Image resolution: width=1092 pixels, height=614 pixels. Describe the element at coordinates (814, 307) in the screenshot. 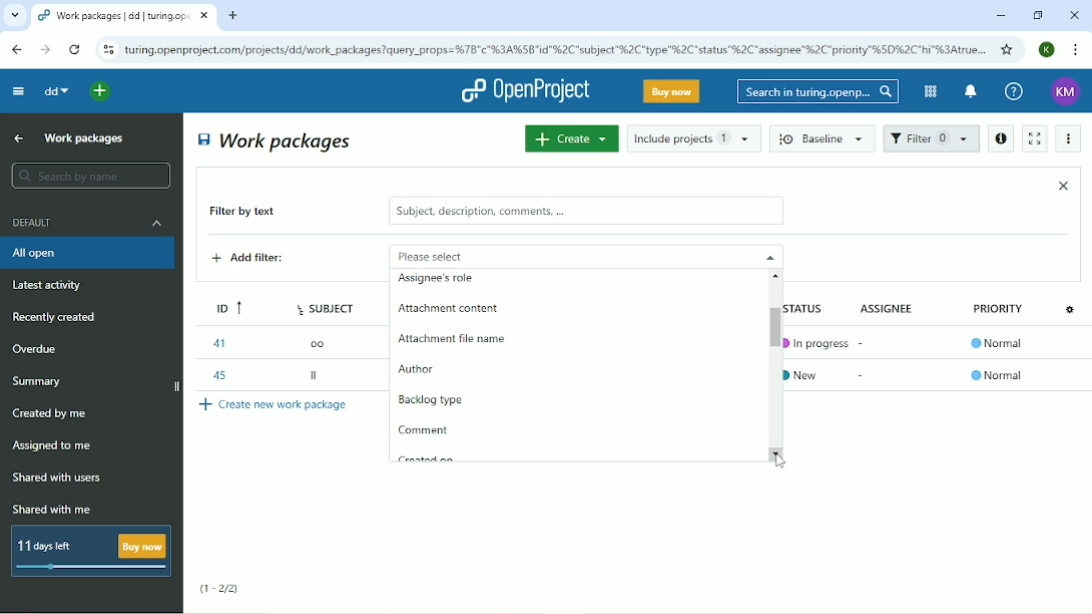

I see `Status` at that location.